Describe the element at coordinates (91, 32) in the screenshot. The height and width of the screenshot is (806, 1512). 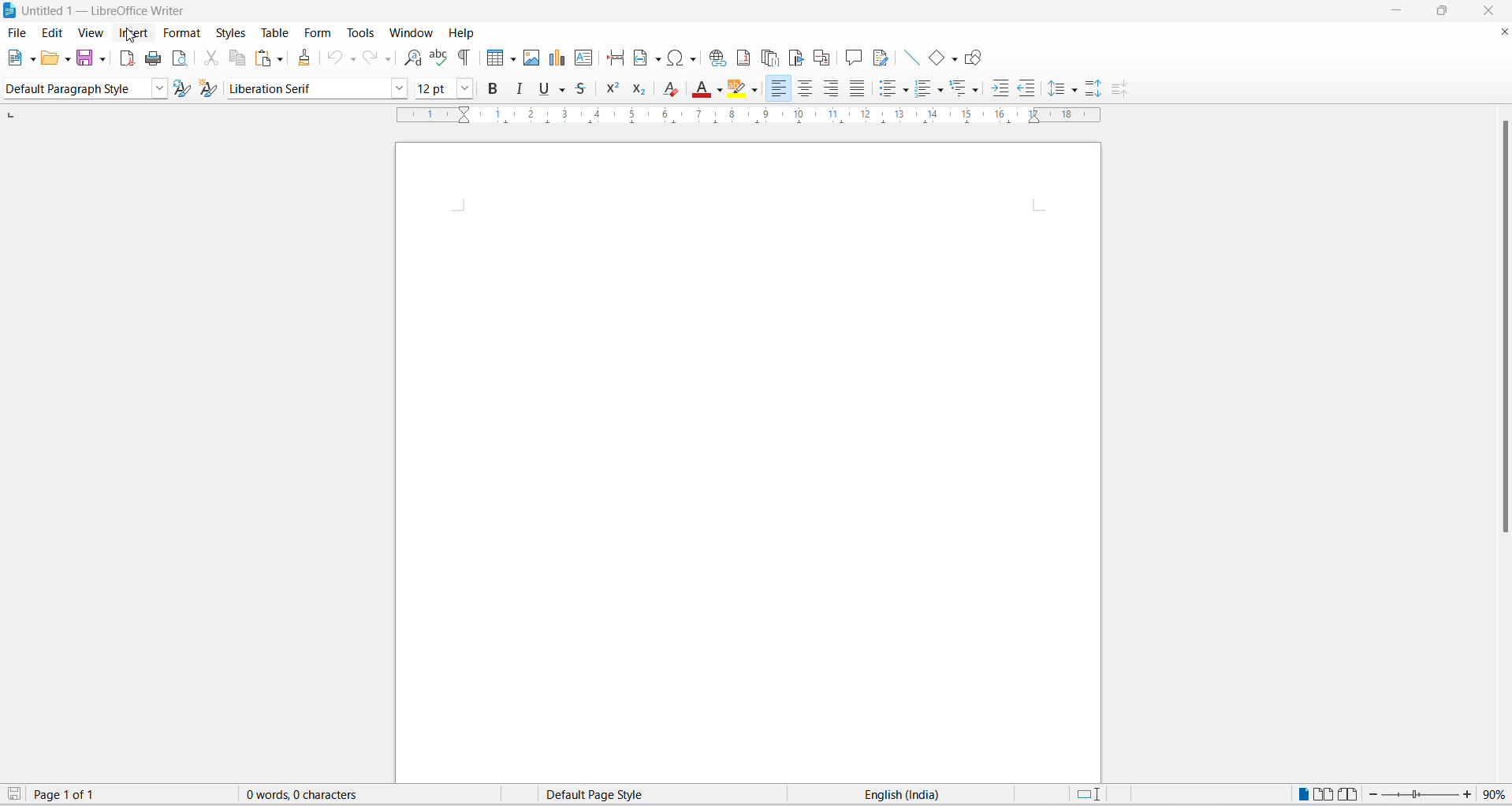
I see `view` at that location.